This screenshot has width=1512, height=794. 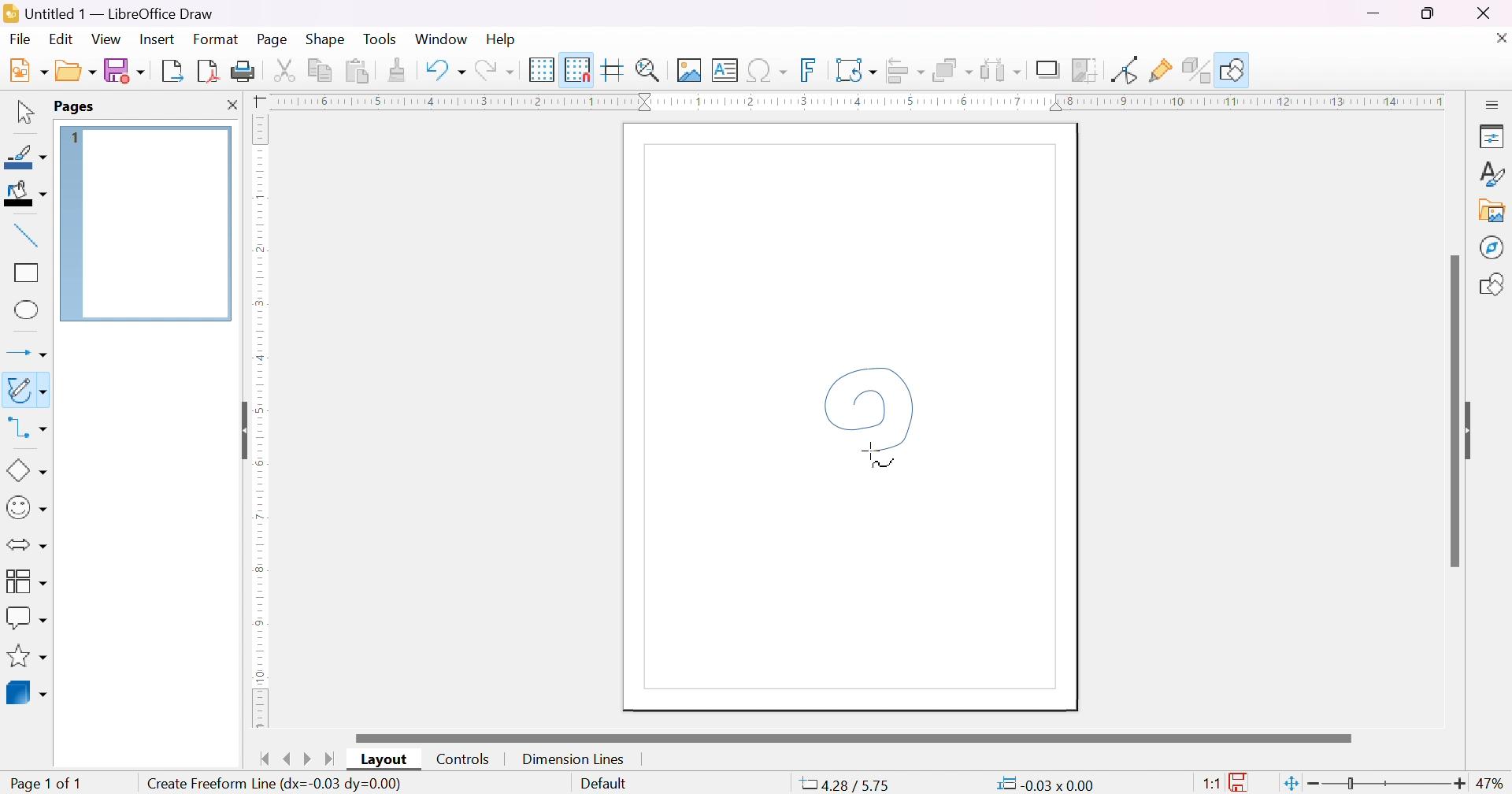 I want to click on show draw function, so click(x=1232, y=70).